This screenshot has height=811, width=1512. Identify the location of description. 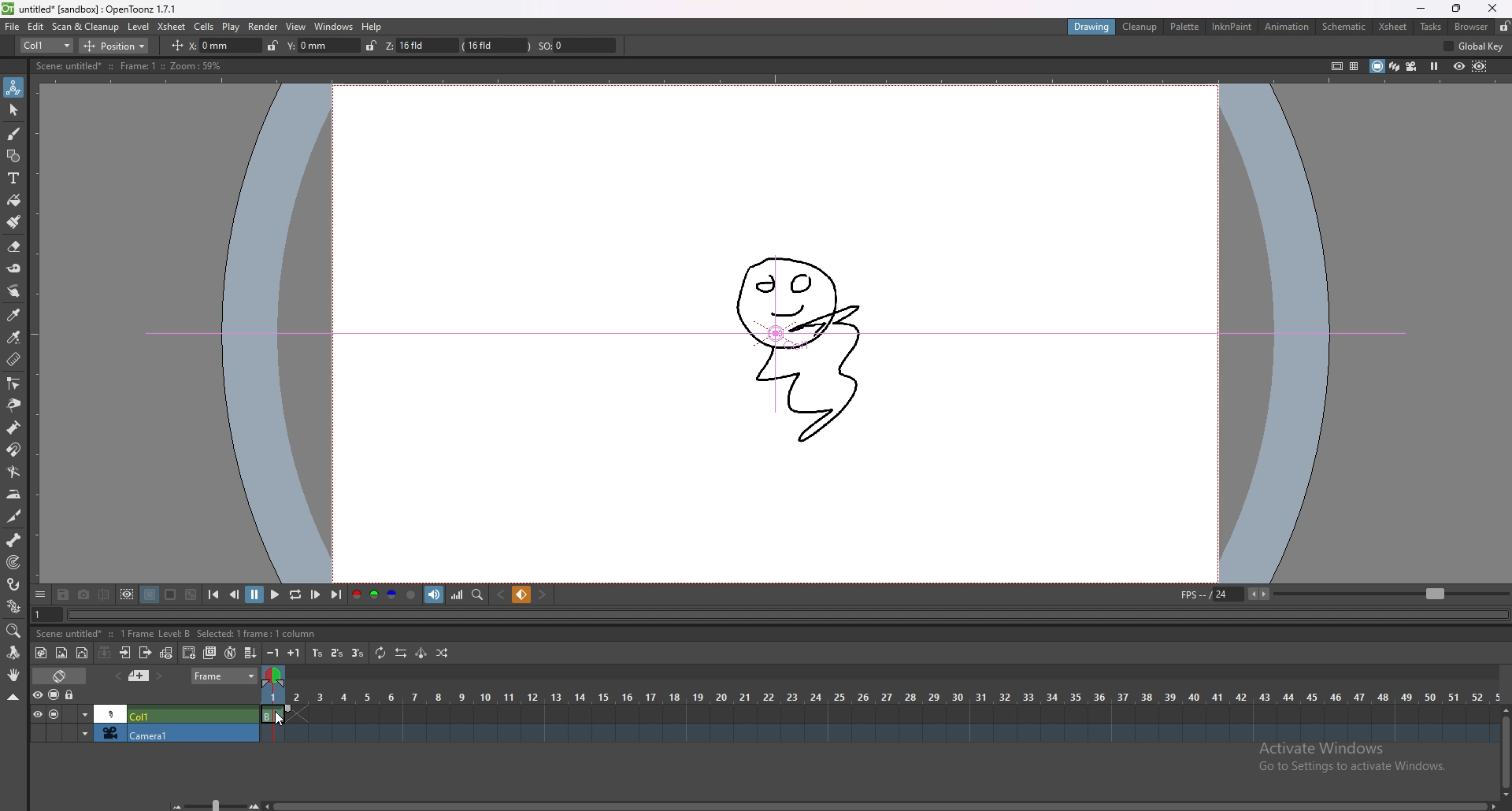
(127, 65).